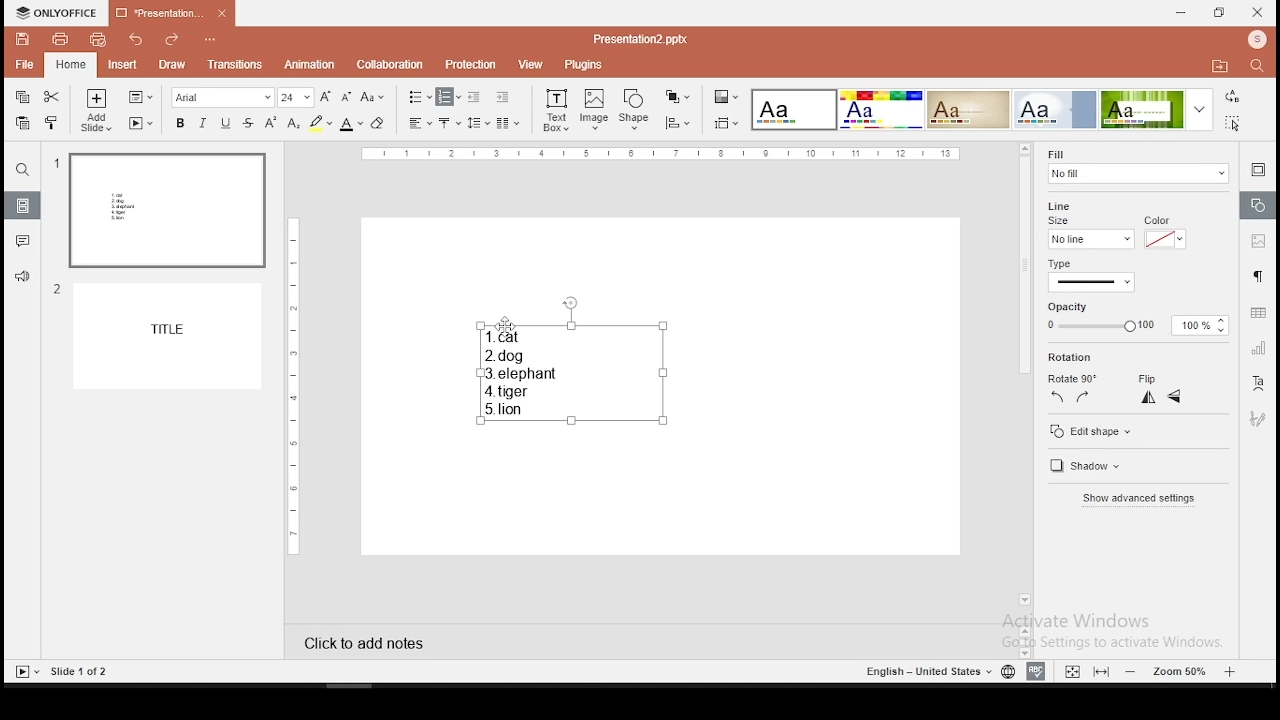 The width and height of the screenshot is (1280, 720). I want to click on quick print, so click(97, 39).